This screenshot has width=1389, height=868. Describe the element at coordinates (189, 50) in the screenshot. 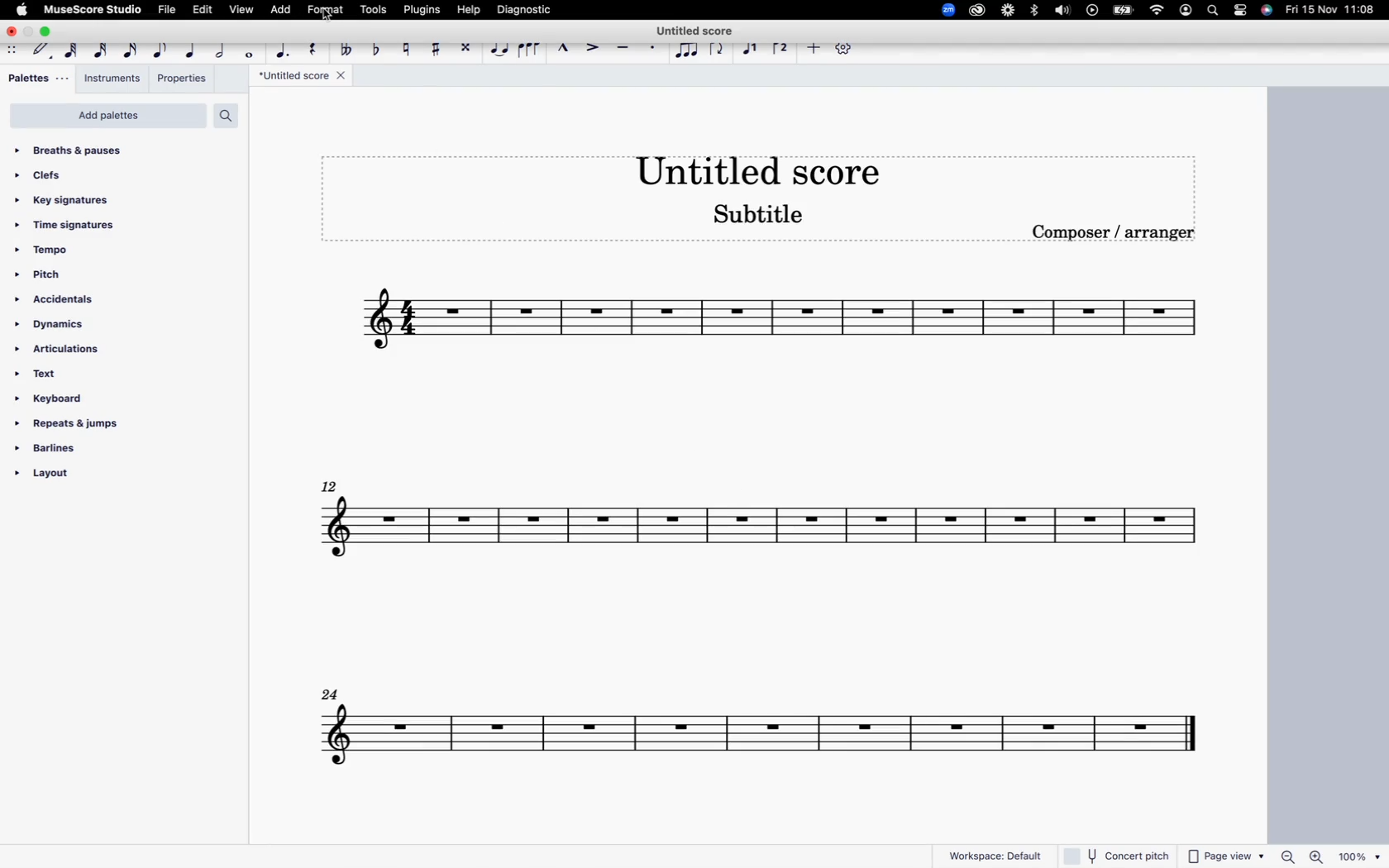

I see `quarter note` at that location.